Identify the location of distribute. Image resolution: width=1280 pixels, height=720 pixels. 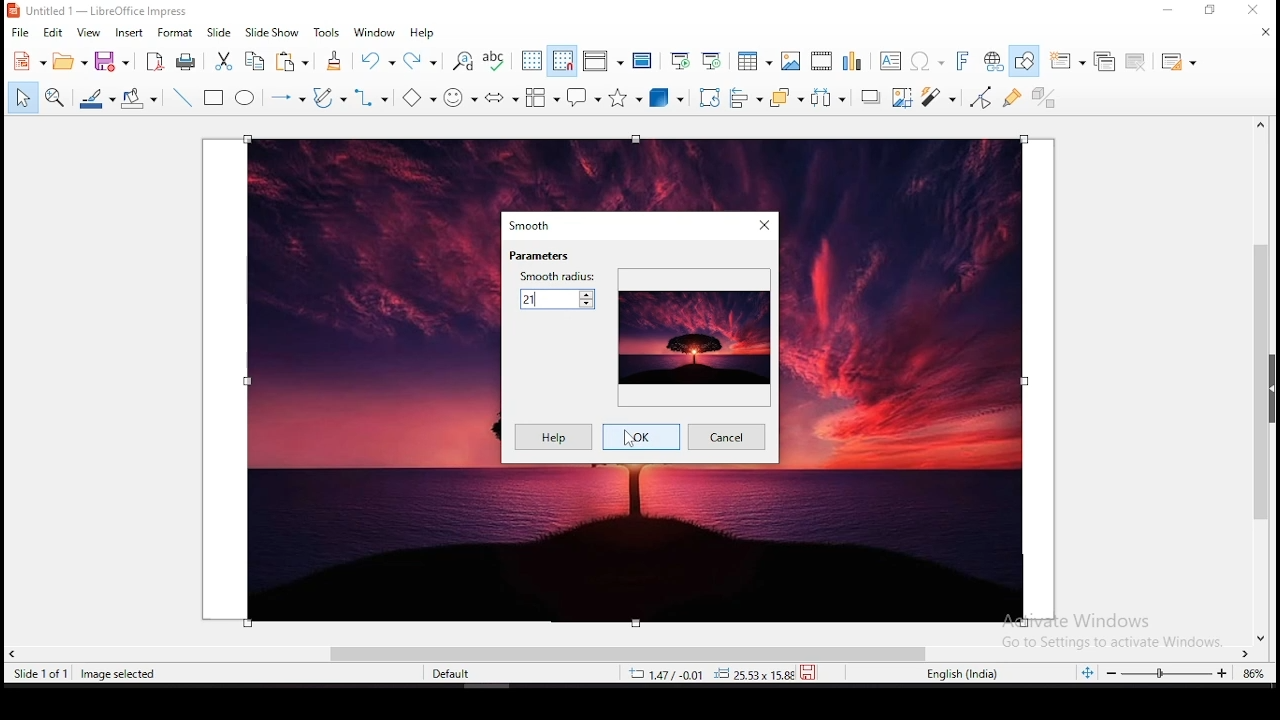
(828, 99).